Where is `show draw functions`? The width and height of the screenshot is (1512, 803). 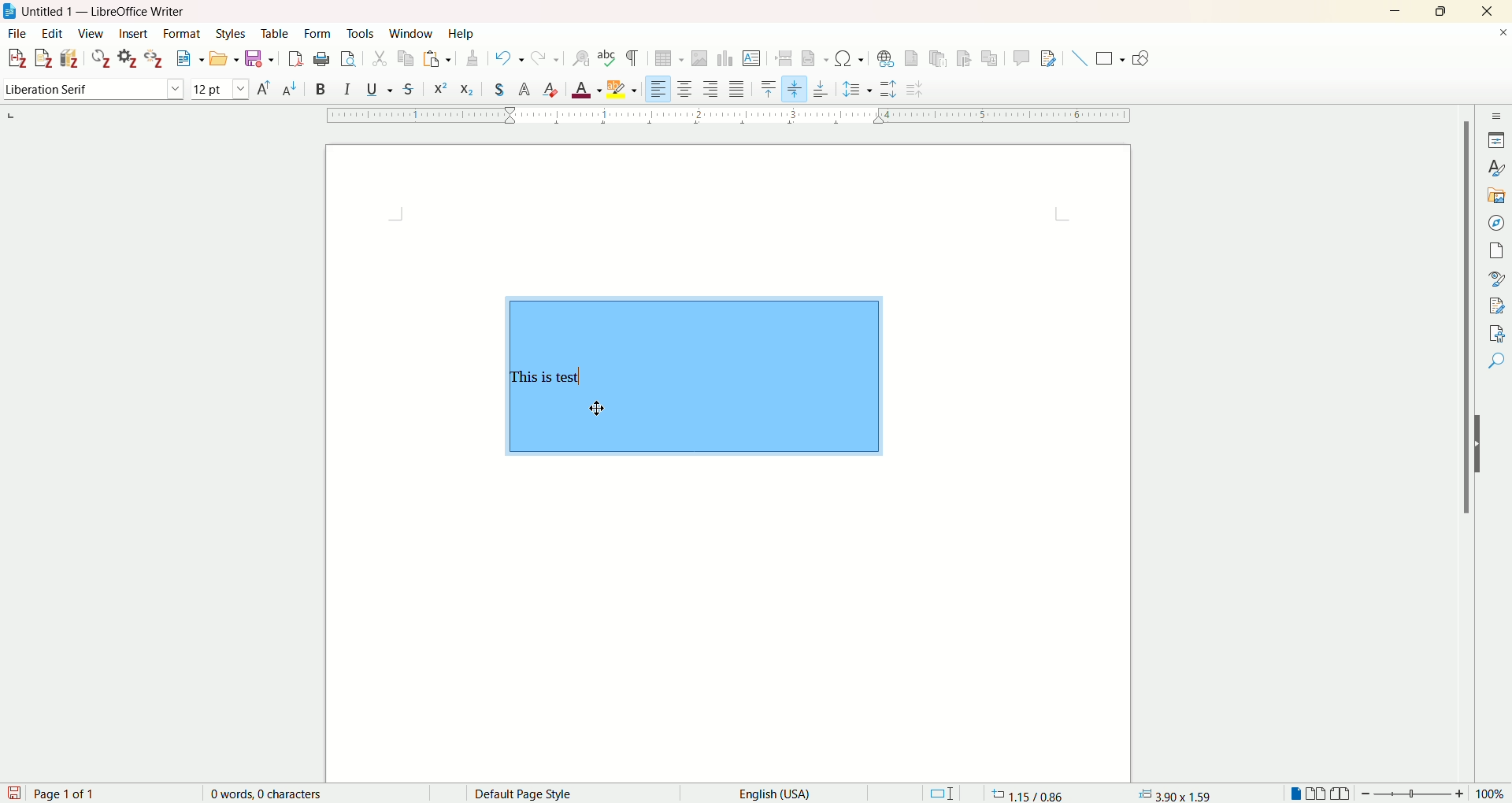 show draw functions is located at coordinates (1140, 56).